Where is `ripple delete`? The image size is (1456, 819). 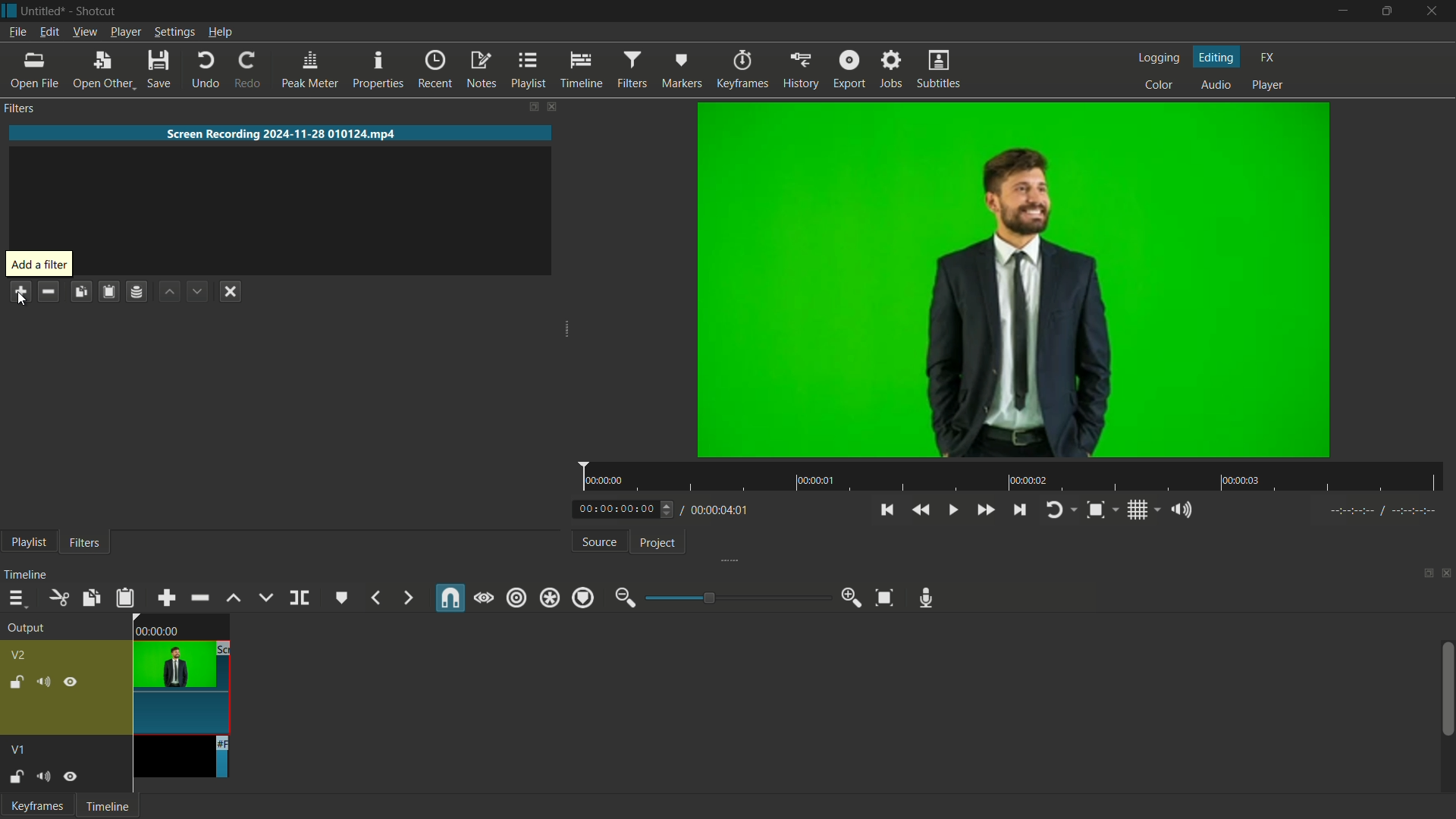
ripple delete is located at coordinates (201, 599).